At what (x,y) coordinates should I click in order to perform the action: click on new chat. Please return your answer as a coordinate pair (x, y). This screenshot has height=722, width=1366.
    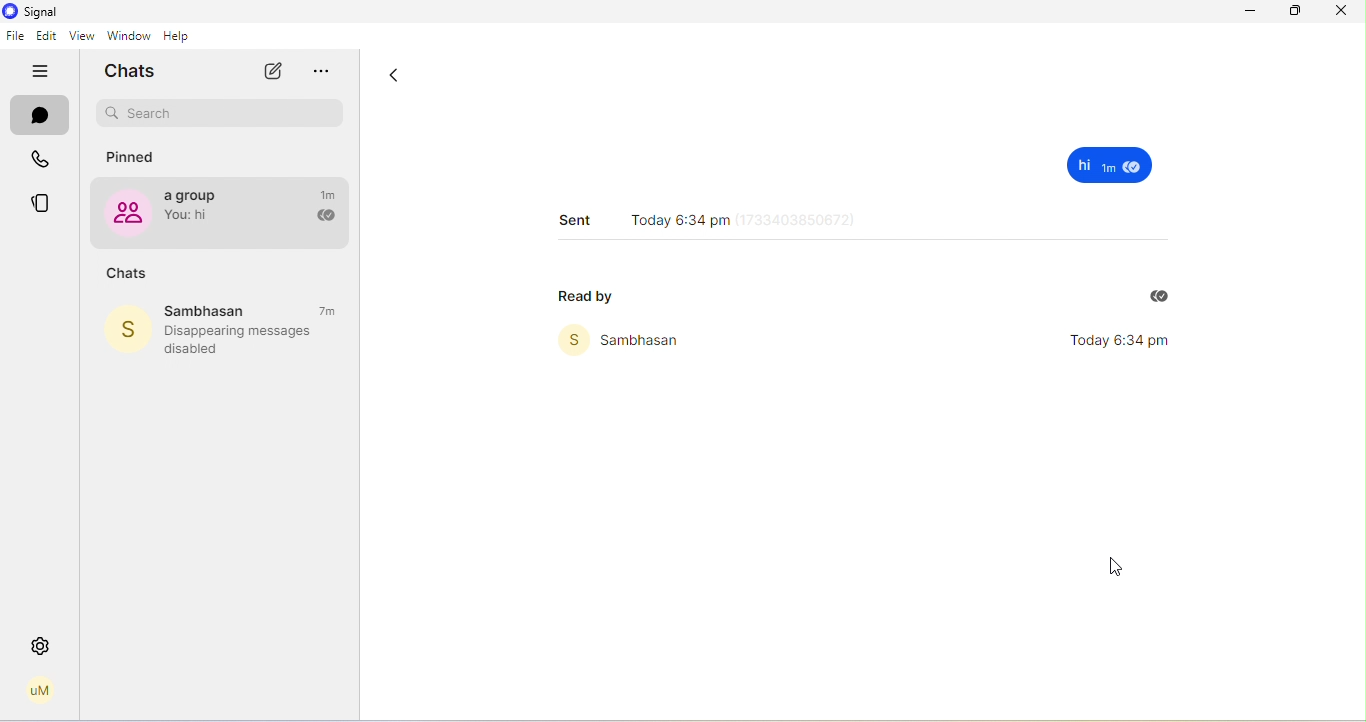
    Looking at the image, I should click on (271, 71).